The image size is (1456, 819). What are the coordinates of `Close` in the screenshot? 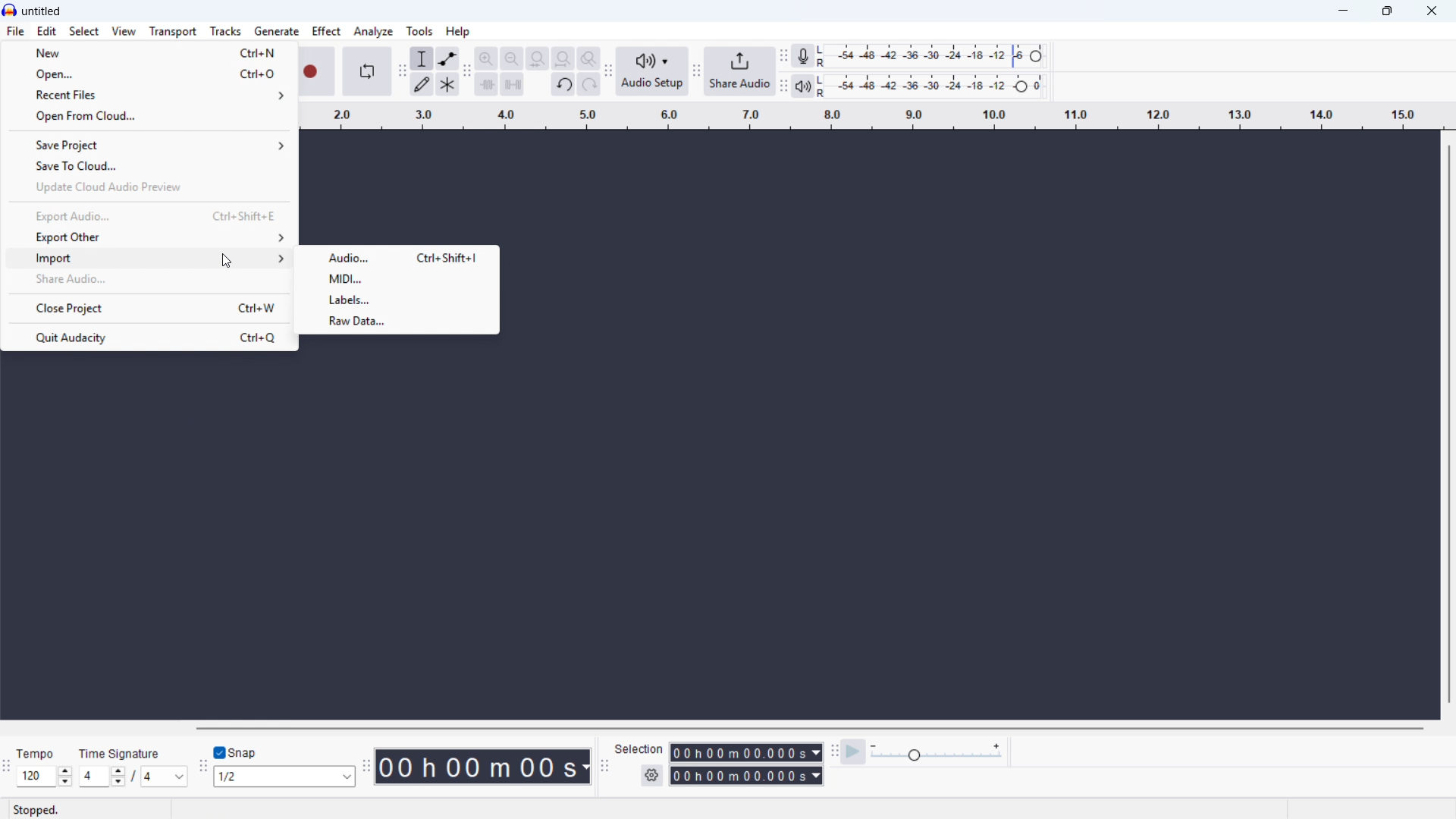 It's located at (1432, 12).